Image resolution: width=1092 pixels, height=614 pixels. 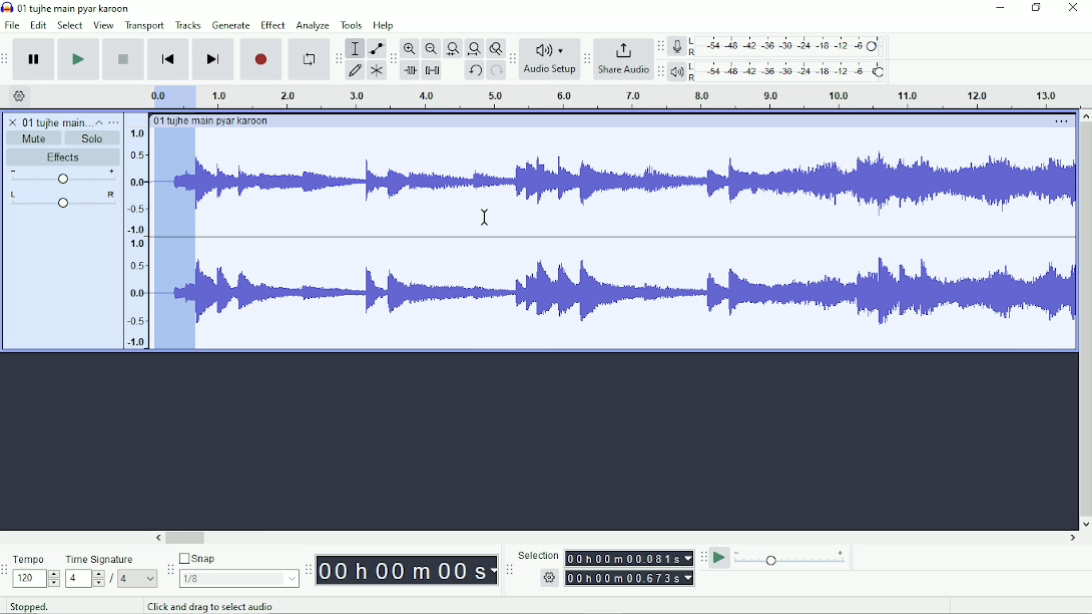 What do you see at coordinates (375, 49) in the screenshot?
I see `Envelope tool` at bounding box center [375, 49].